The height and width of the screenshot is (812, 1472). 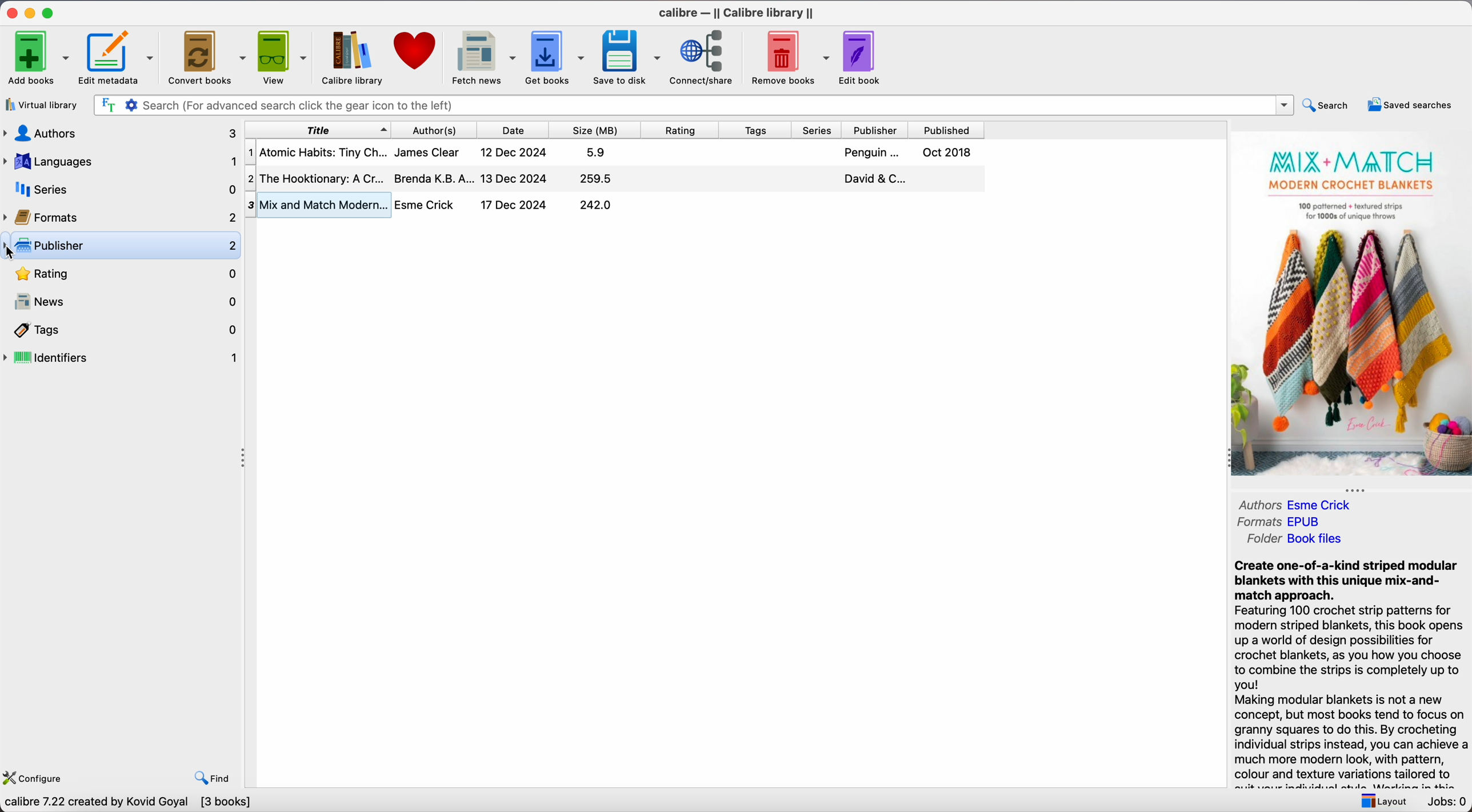 I want to click on formats EPUB, so click(x=1284, y=521).